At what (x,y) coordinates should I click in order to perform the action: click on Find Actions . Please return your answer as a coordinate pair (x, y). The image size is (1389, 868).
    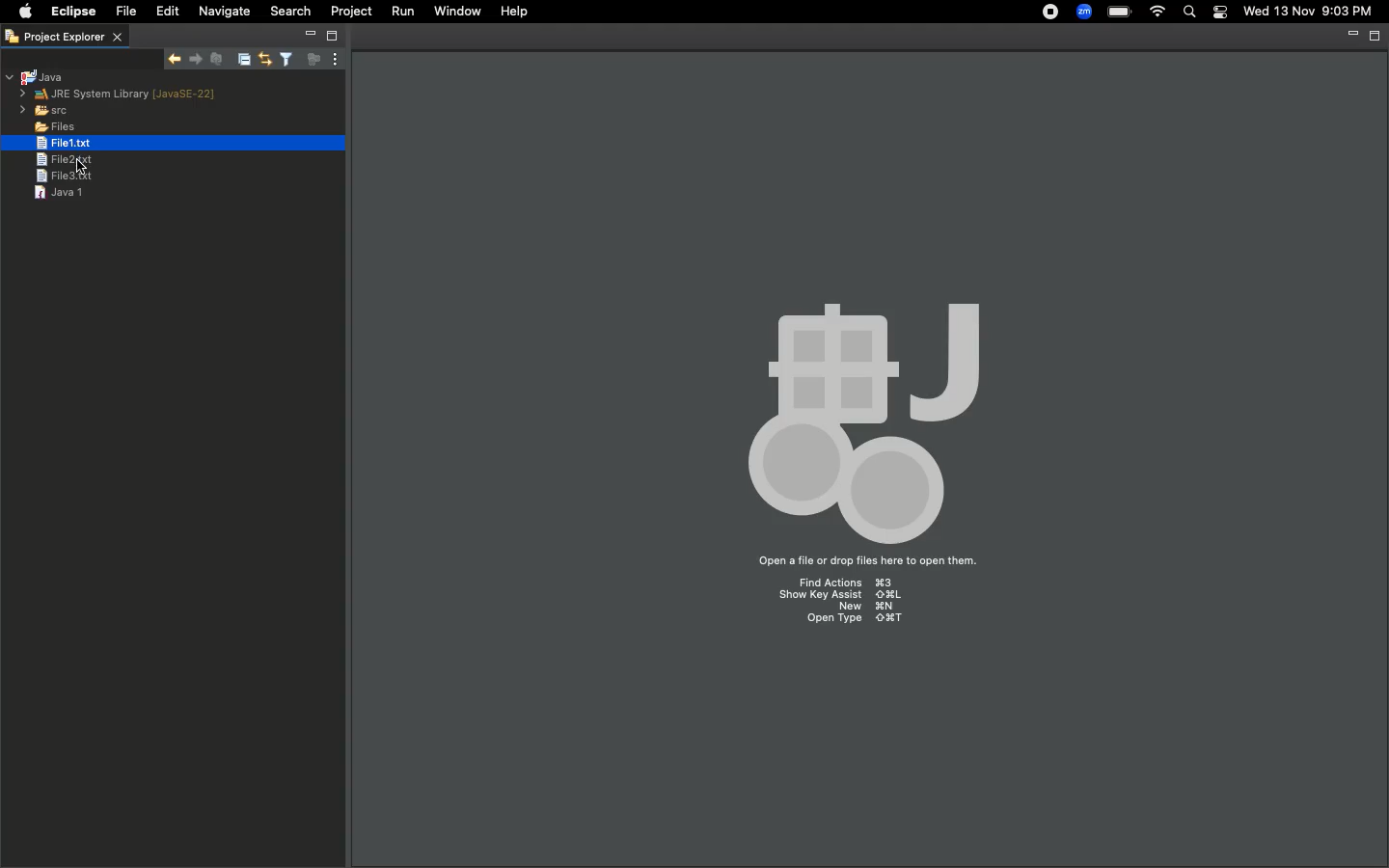
    Looking at the image, I should click on (855, 583).